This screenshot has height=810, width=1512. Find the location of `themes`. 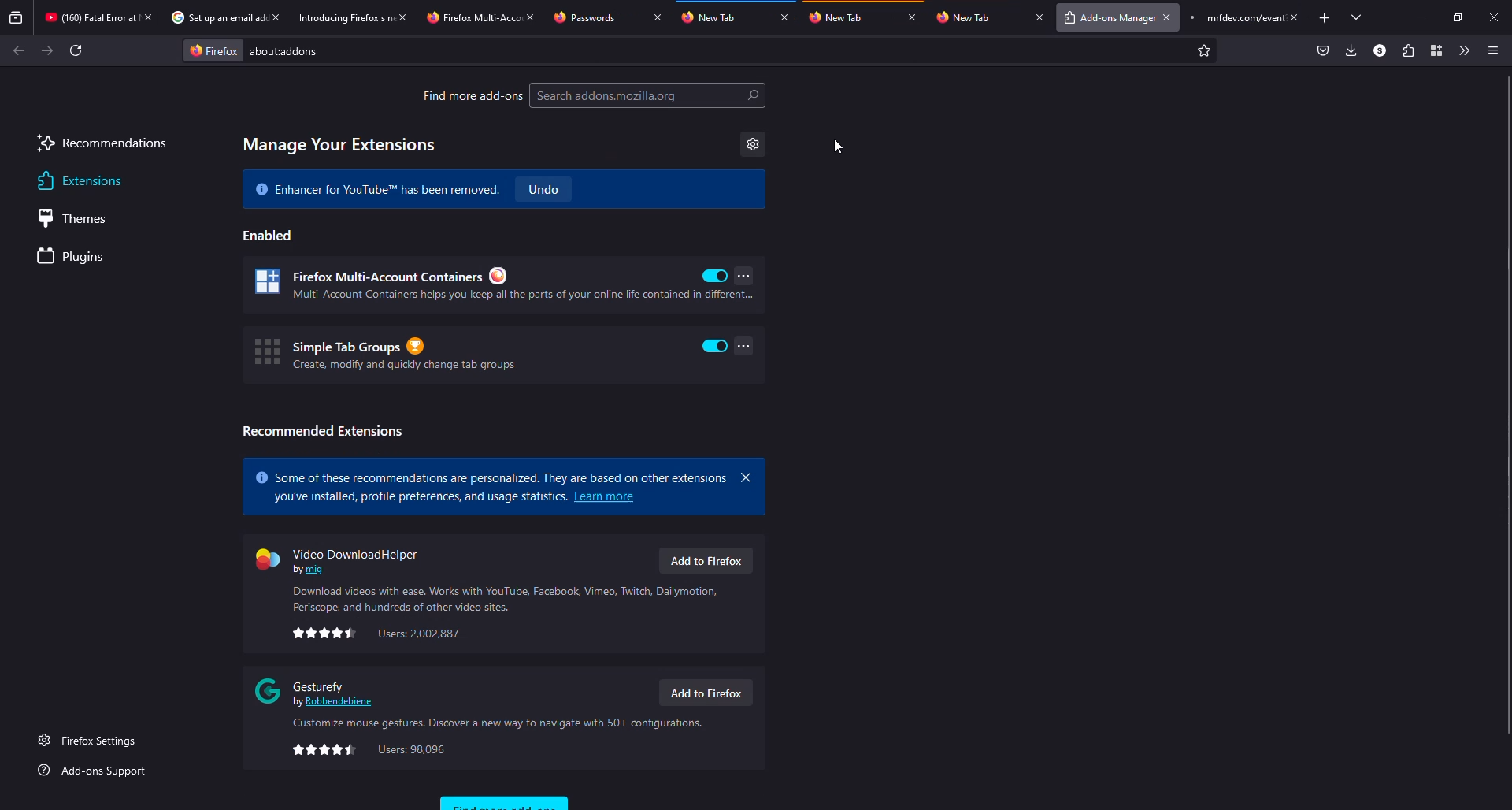

themes is located at coordinates (79, 218).